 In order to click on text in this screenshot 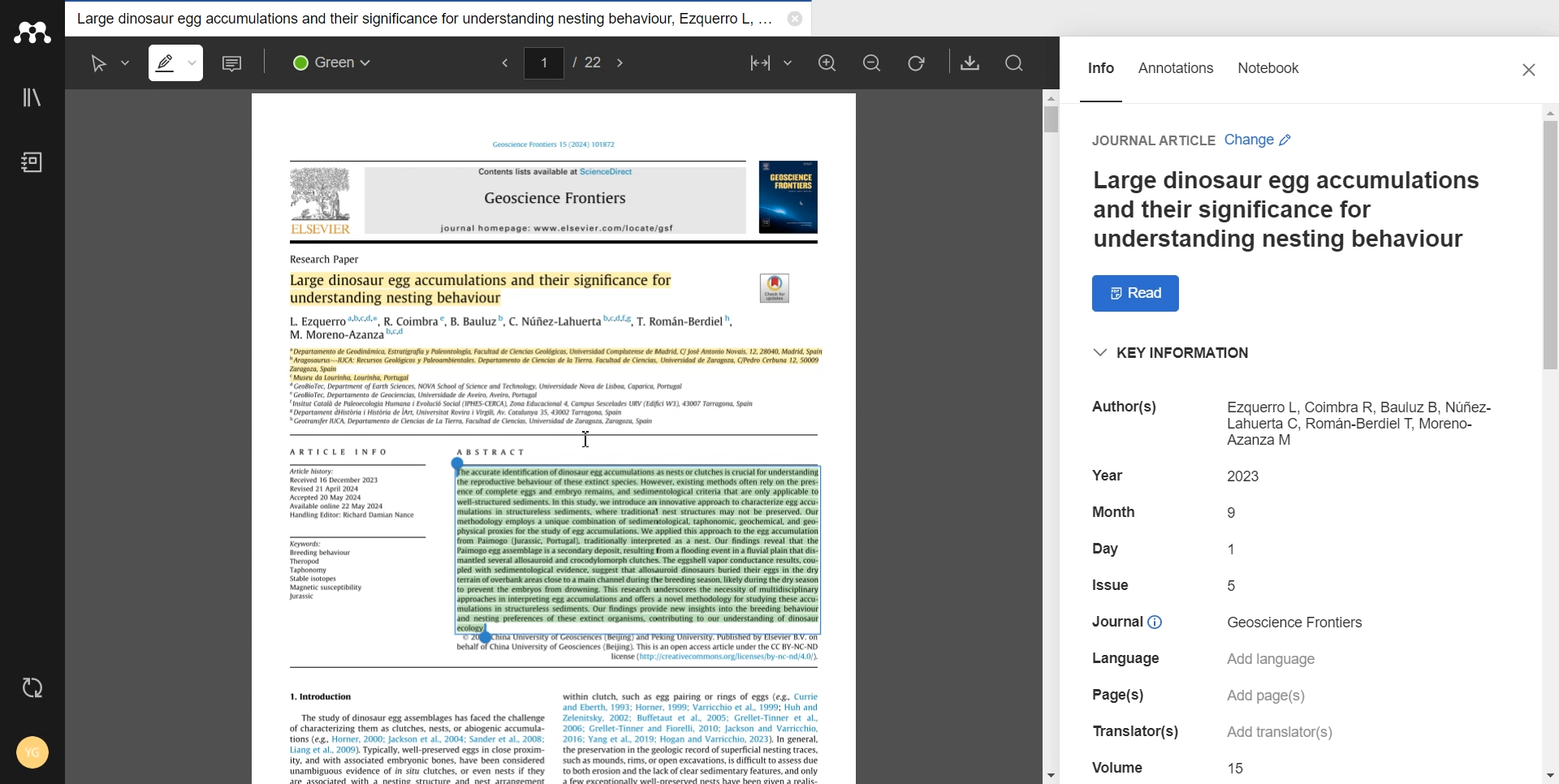, I will do `click(326, 571)`.